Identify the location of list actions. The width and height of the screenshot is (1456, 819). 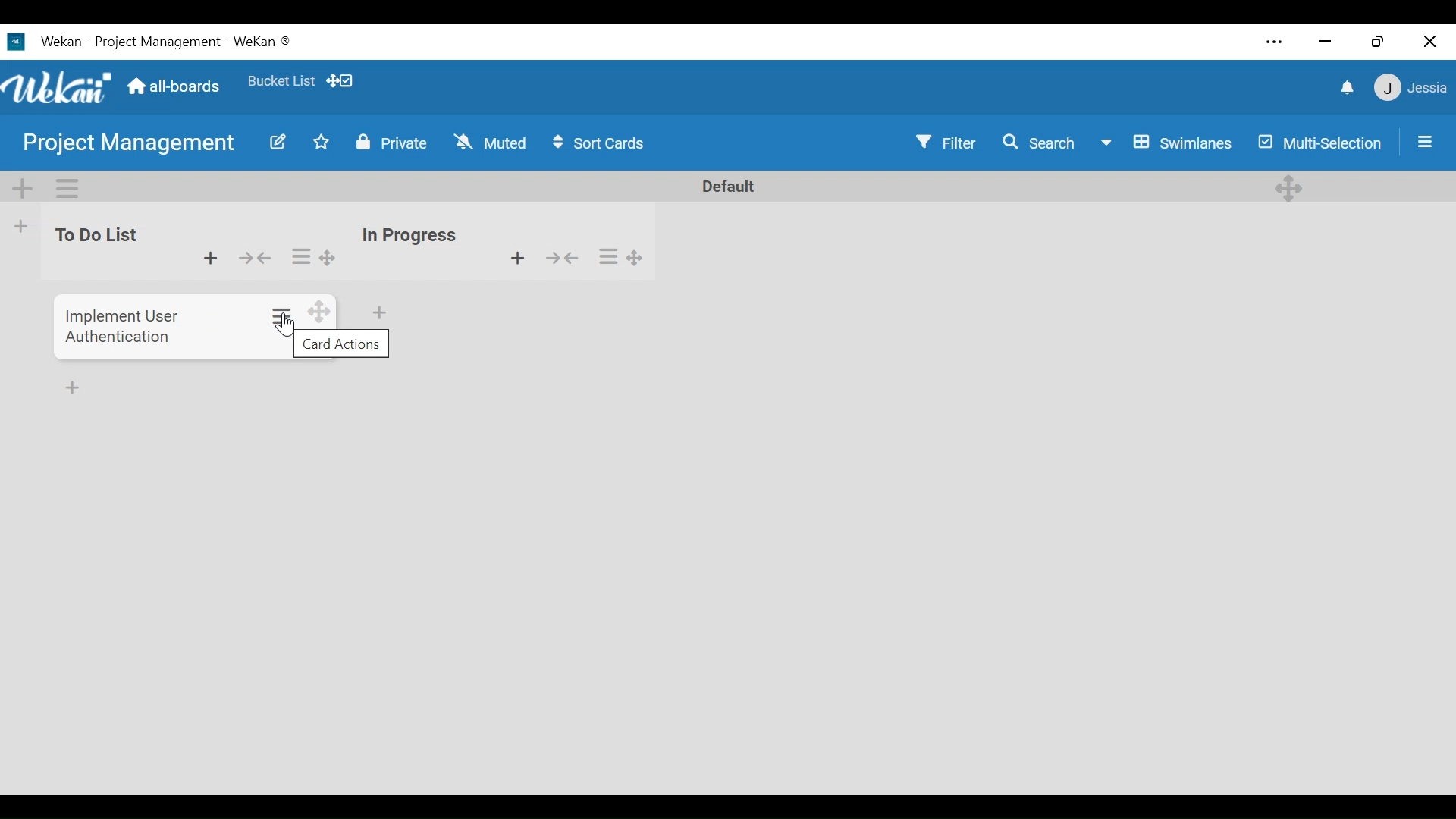
(300, 258).